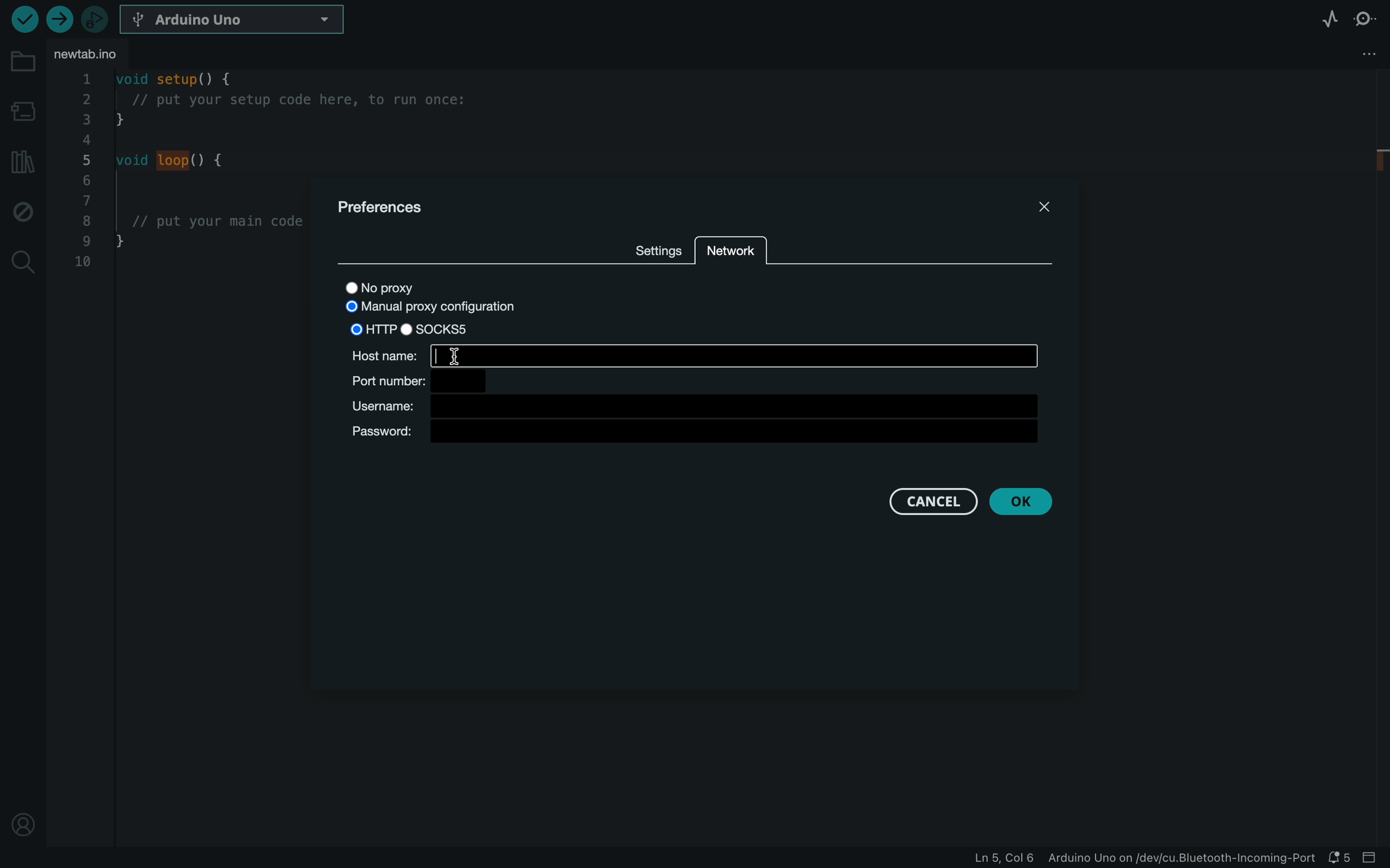 Image resolution: width=1390 pixels, height=868 pixels. What do you see at coordinates (407, 285) in the screenshot?
I see `no proxy` at bounding box center [407, 285].